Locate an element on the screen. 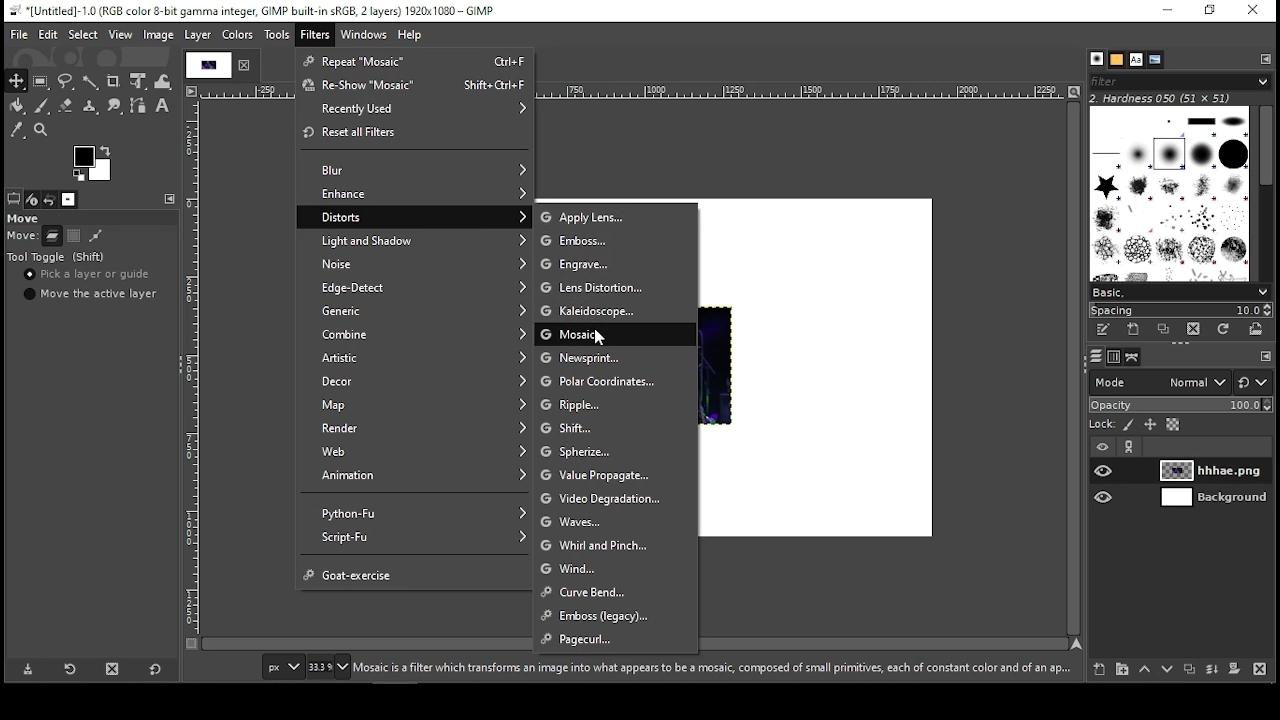 This screenshot has width=1280, height=720. layers is located at coordinates (1096, 356).